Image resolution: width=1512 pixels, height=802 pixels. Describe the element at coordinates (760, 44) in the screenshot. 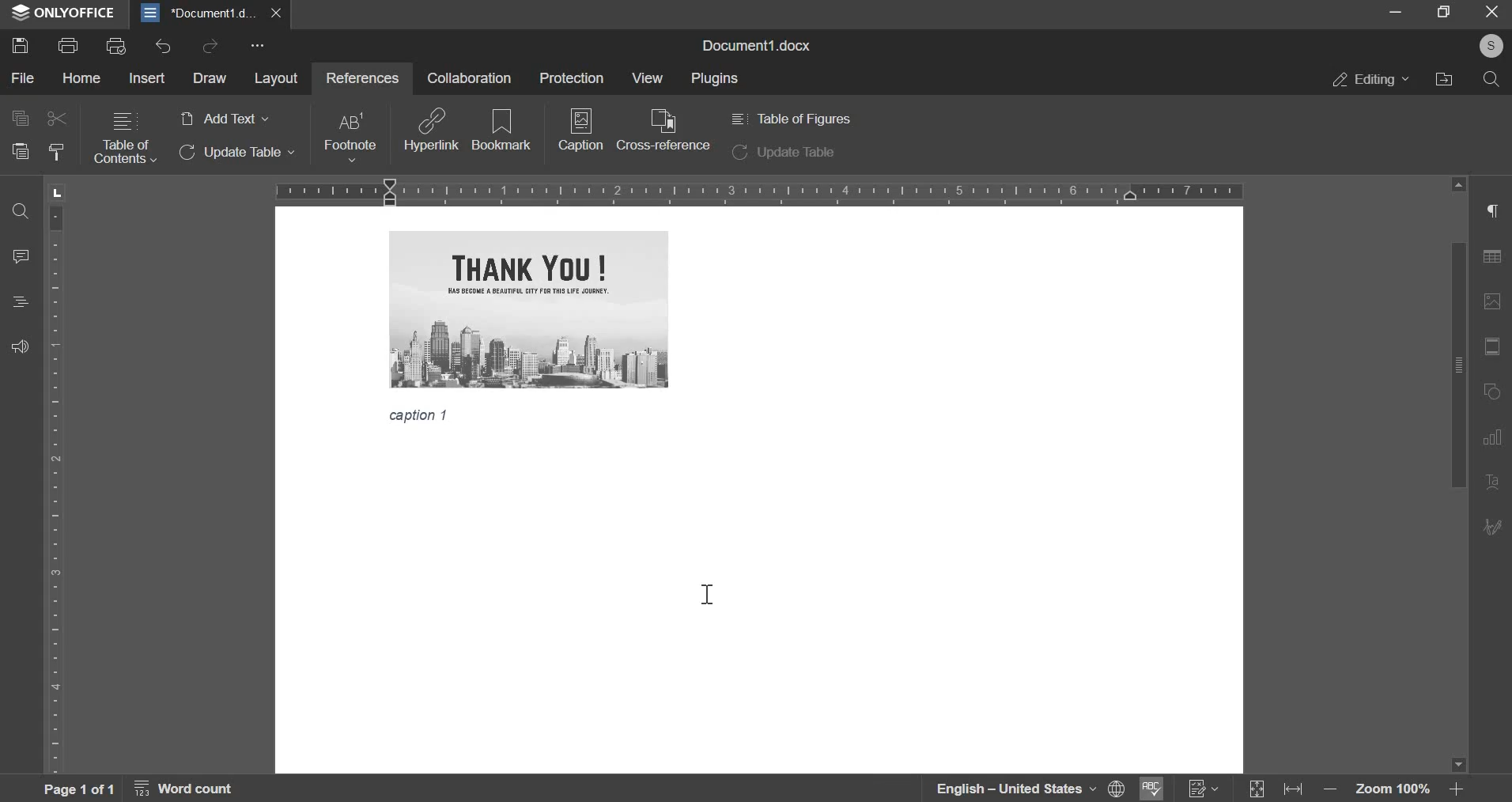

I see `document1.docx` at that location.